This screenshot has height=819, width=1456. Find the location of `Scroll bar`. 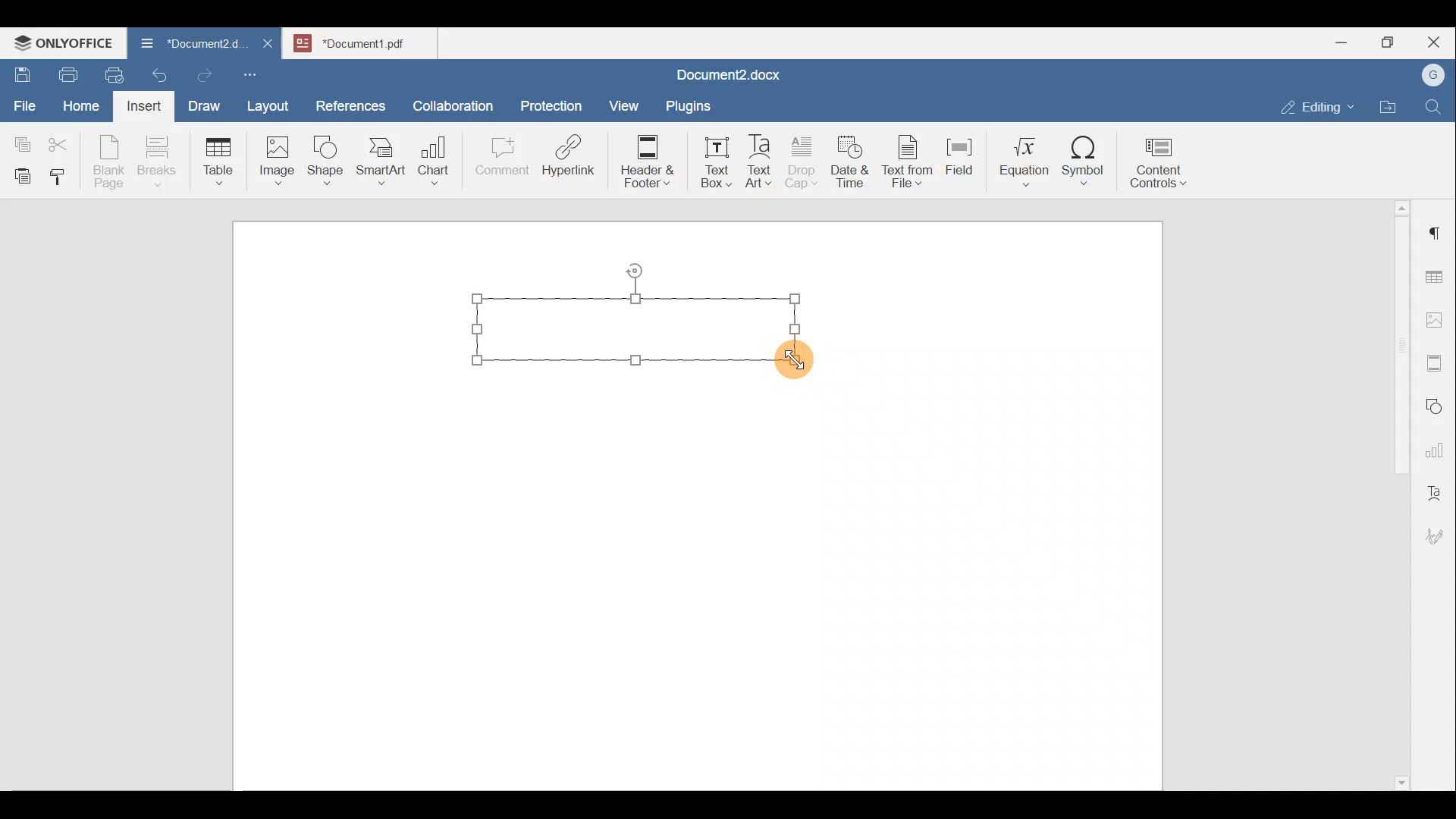

Scroll bar is located at coordinates (1396, 492).